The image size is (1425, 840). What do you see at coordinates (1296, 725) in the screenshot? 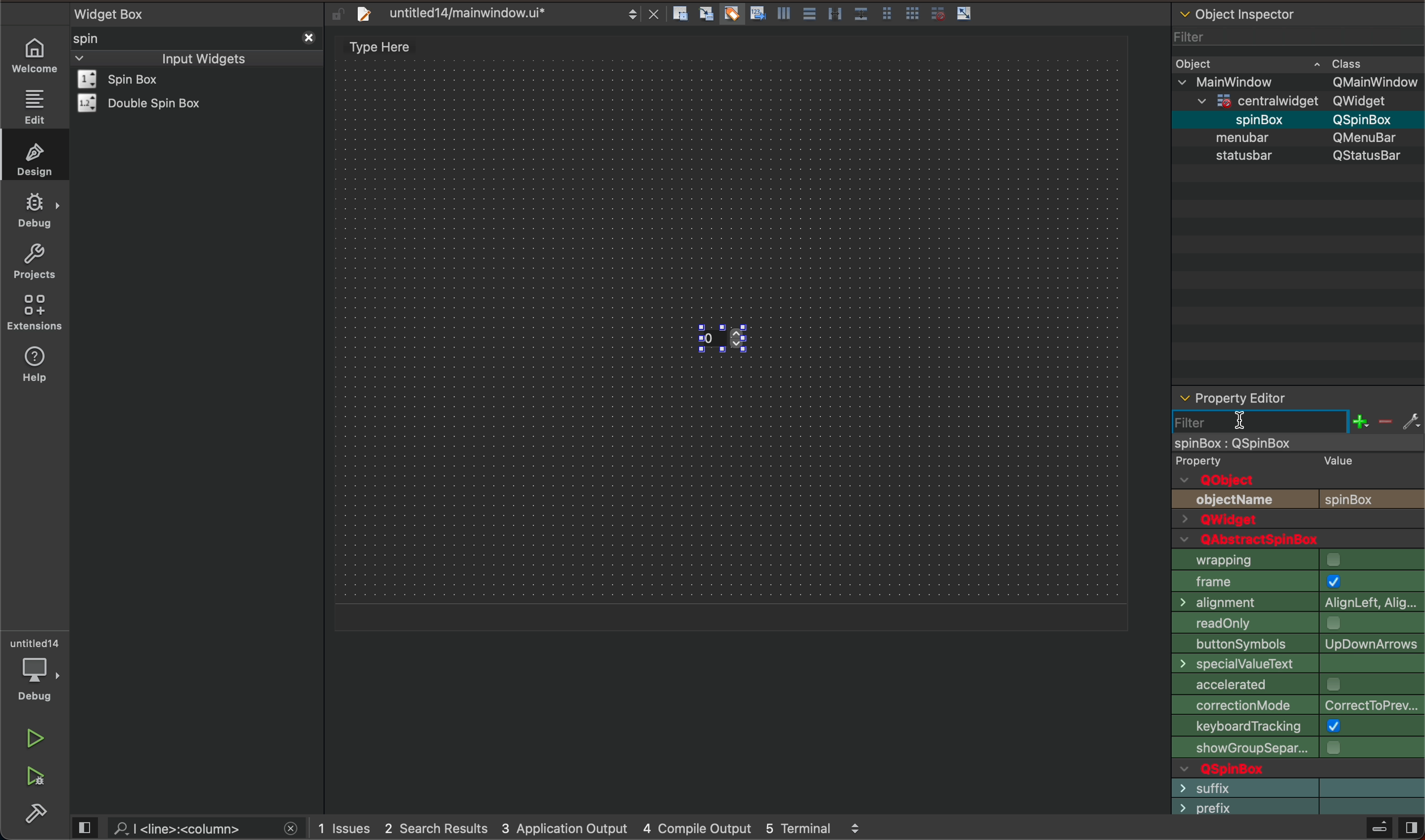
I see `text` at bounding box center [1296, 725].